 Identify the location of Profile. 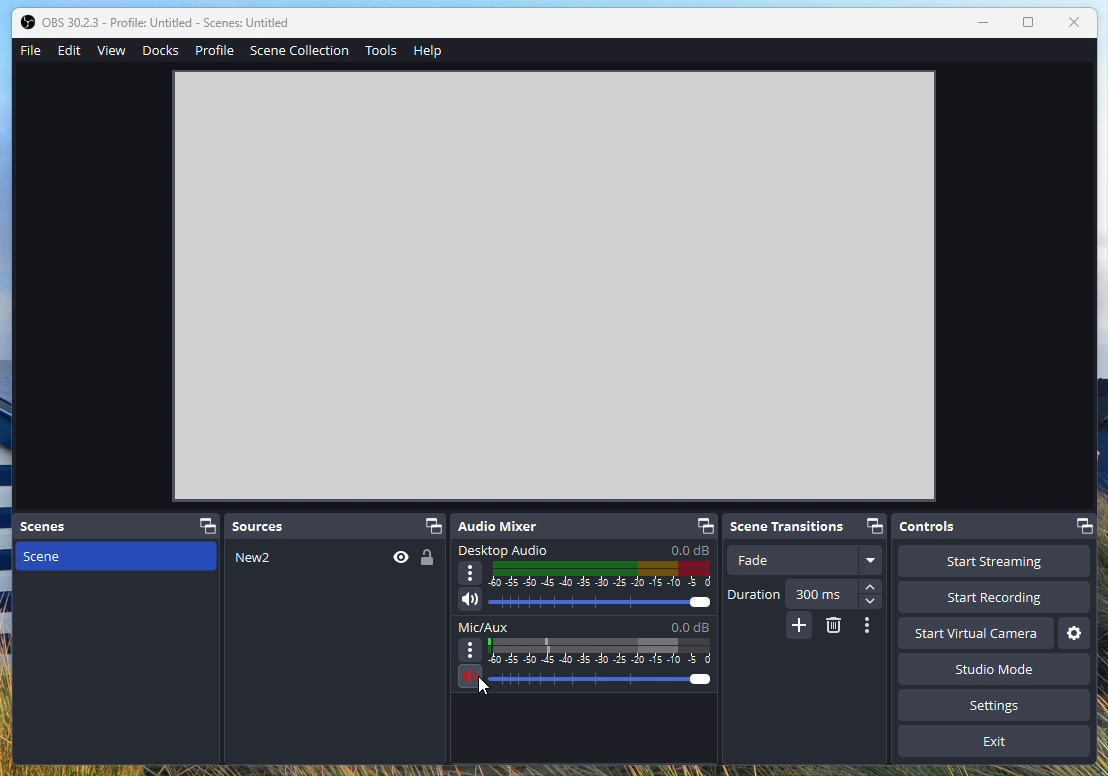
(217, 49).